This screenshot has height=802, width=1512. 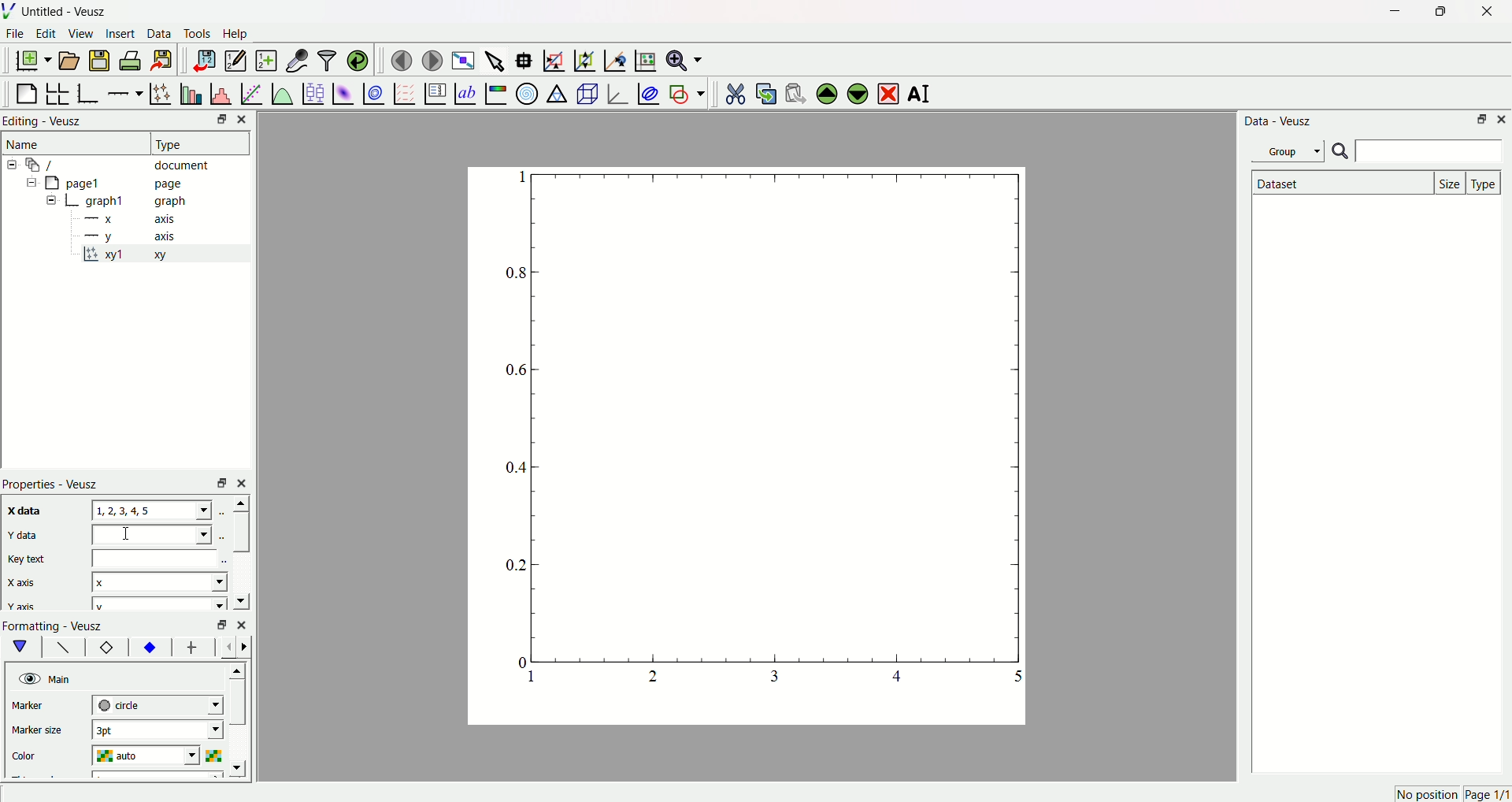 What do you see at coordinates (160, 35) in the screenshot?
I see `Data` at bounding box center [160, 35].